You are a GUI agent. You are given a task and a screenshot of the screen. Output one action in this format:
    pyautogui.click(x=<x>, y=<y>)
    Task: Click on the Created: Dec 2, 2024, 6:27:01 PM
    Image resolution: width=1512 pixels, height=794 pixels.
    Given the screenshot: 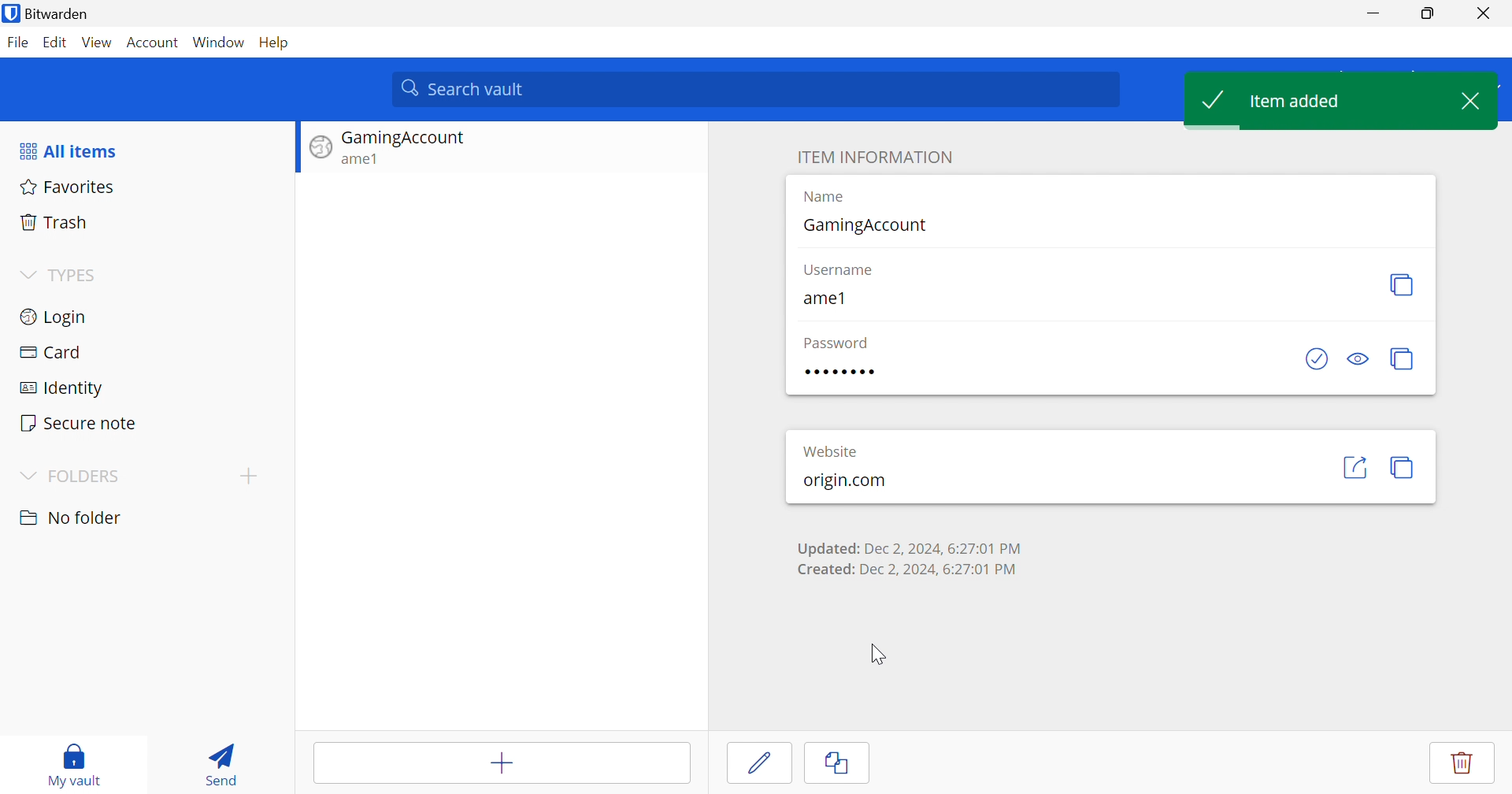 What is the action you would take?
    pyautogui.click(x=910, y=572)
    